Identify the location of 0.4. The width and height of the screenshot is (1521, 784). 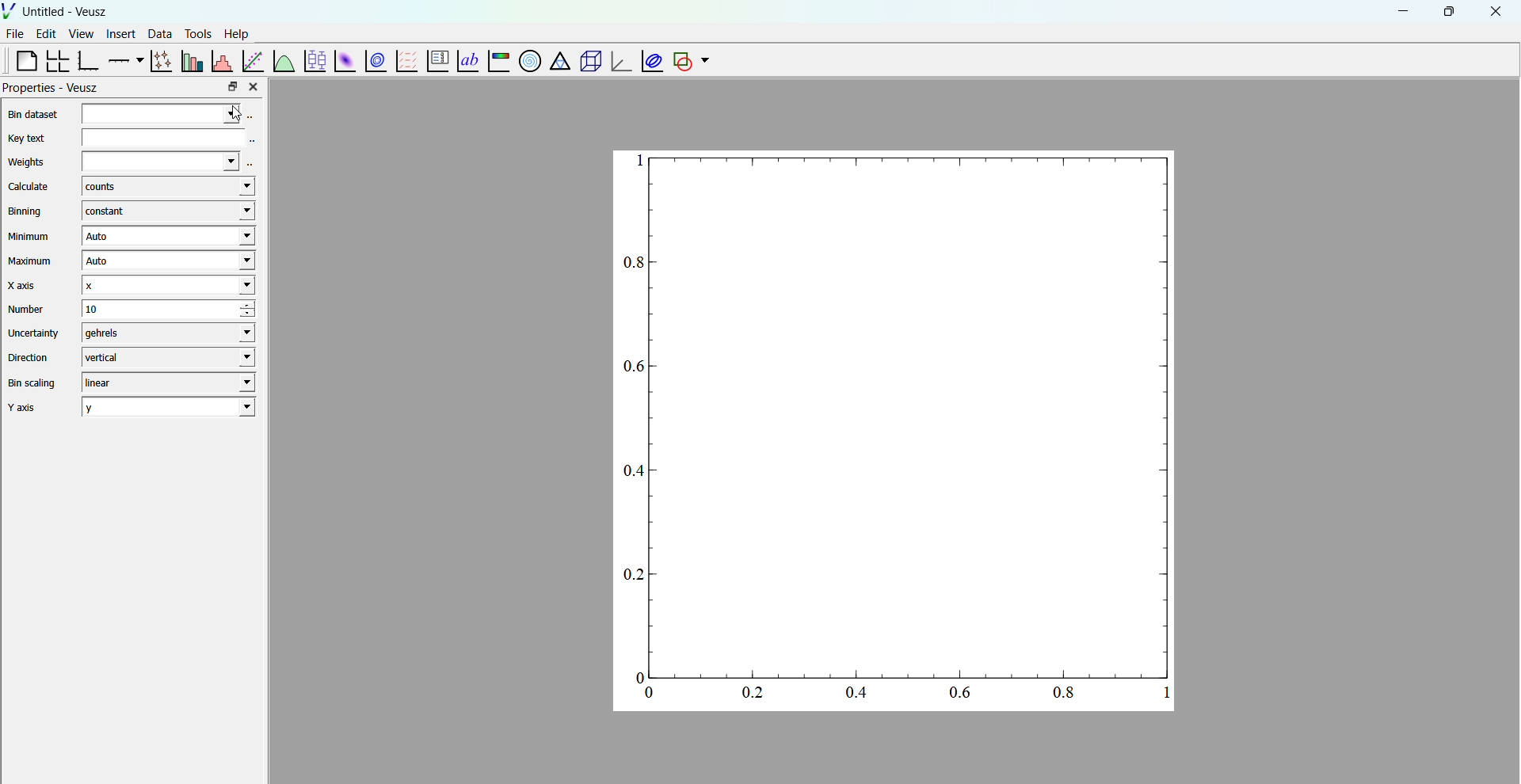
(857, 695).